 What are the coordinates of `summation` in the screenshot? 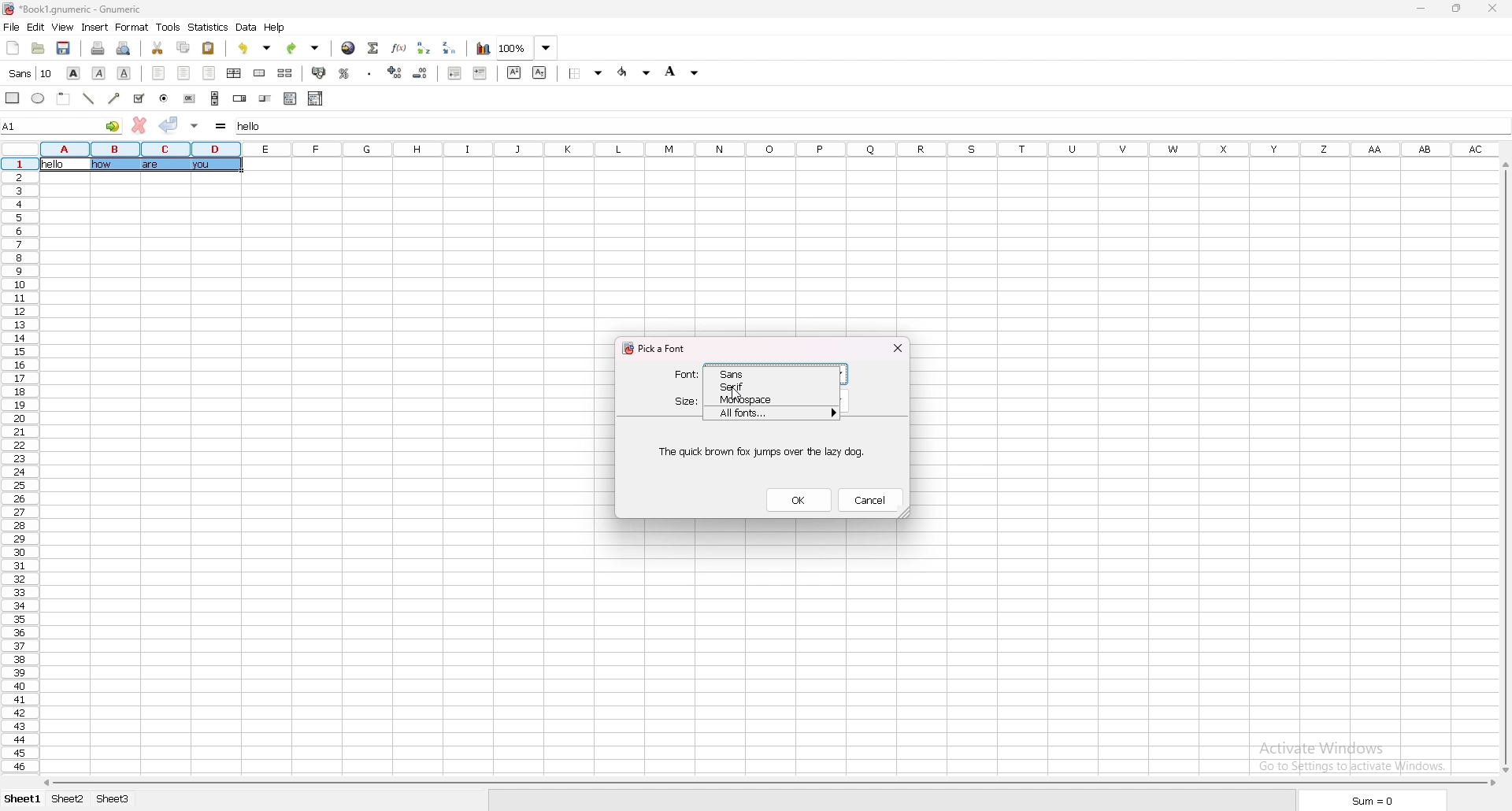 It's located at (373, 46).